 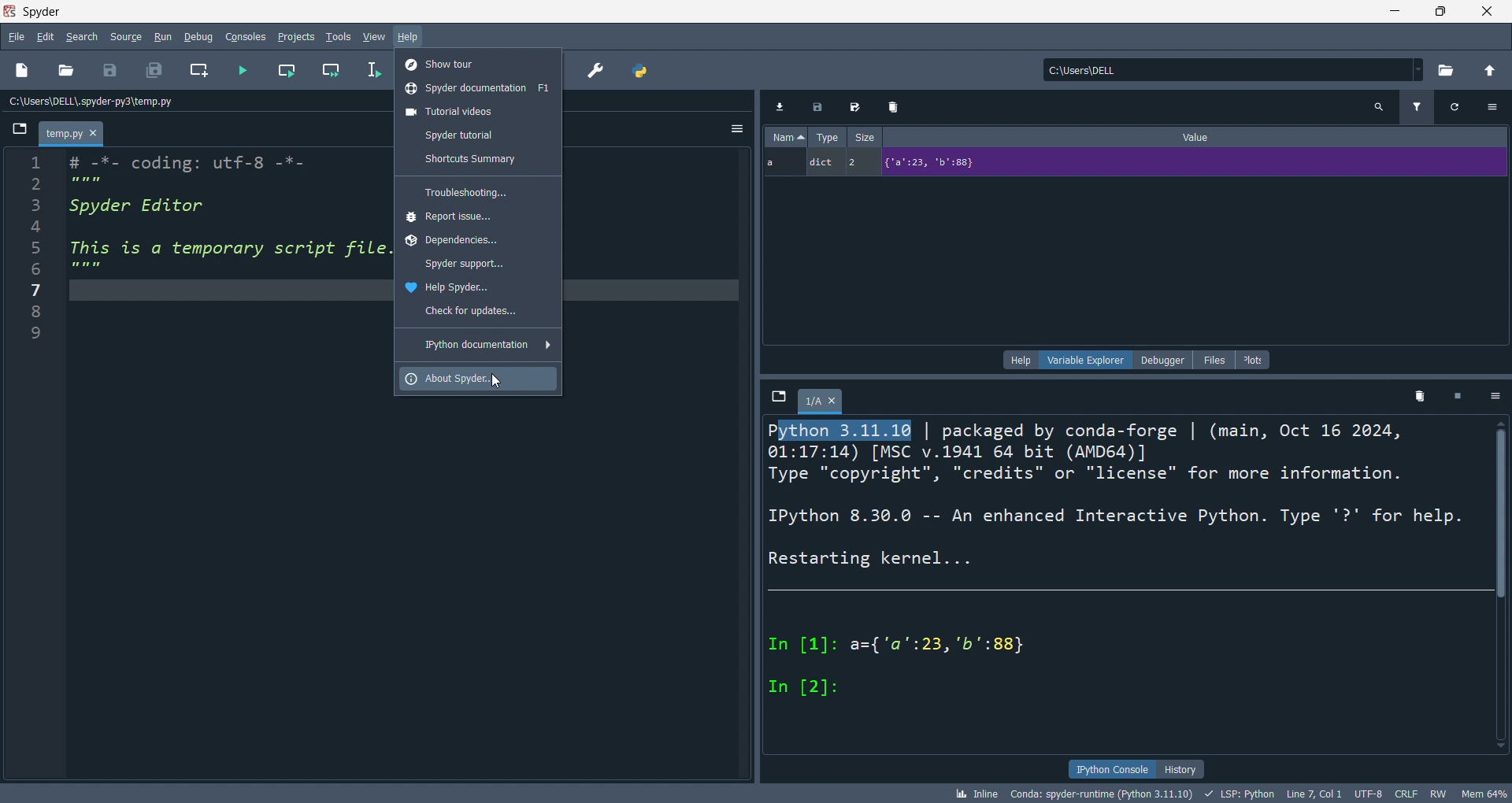 What do you see at coordinates (162, 38) in the screenshot?
I see `run` at bounding box center [162, 38].